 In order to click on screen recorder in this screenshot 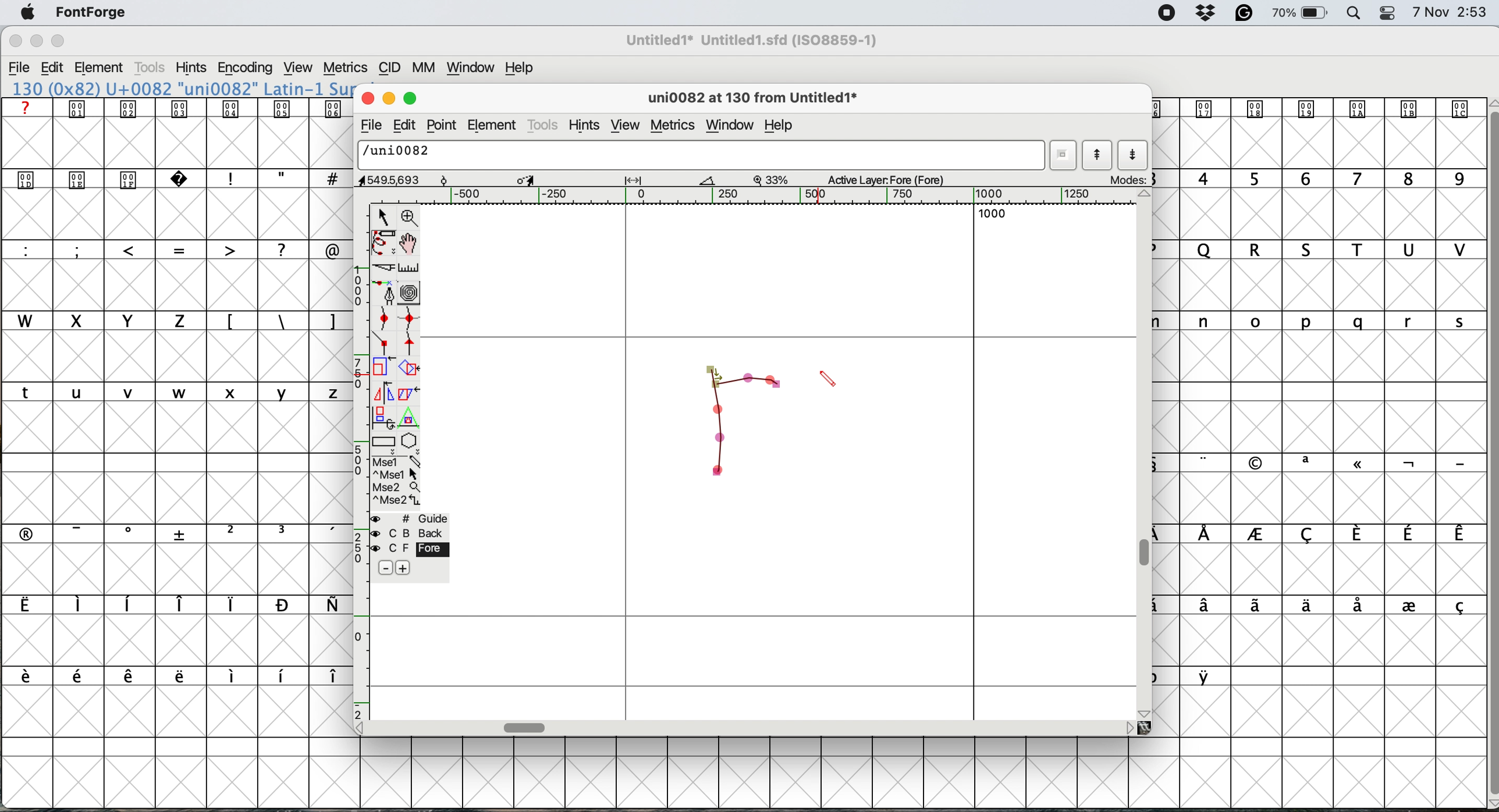, I will do `click(1166, 15)`.